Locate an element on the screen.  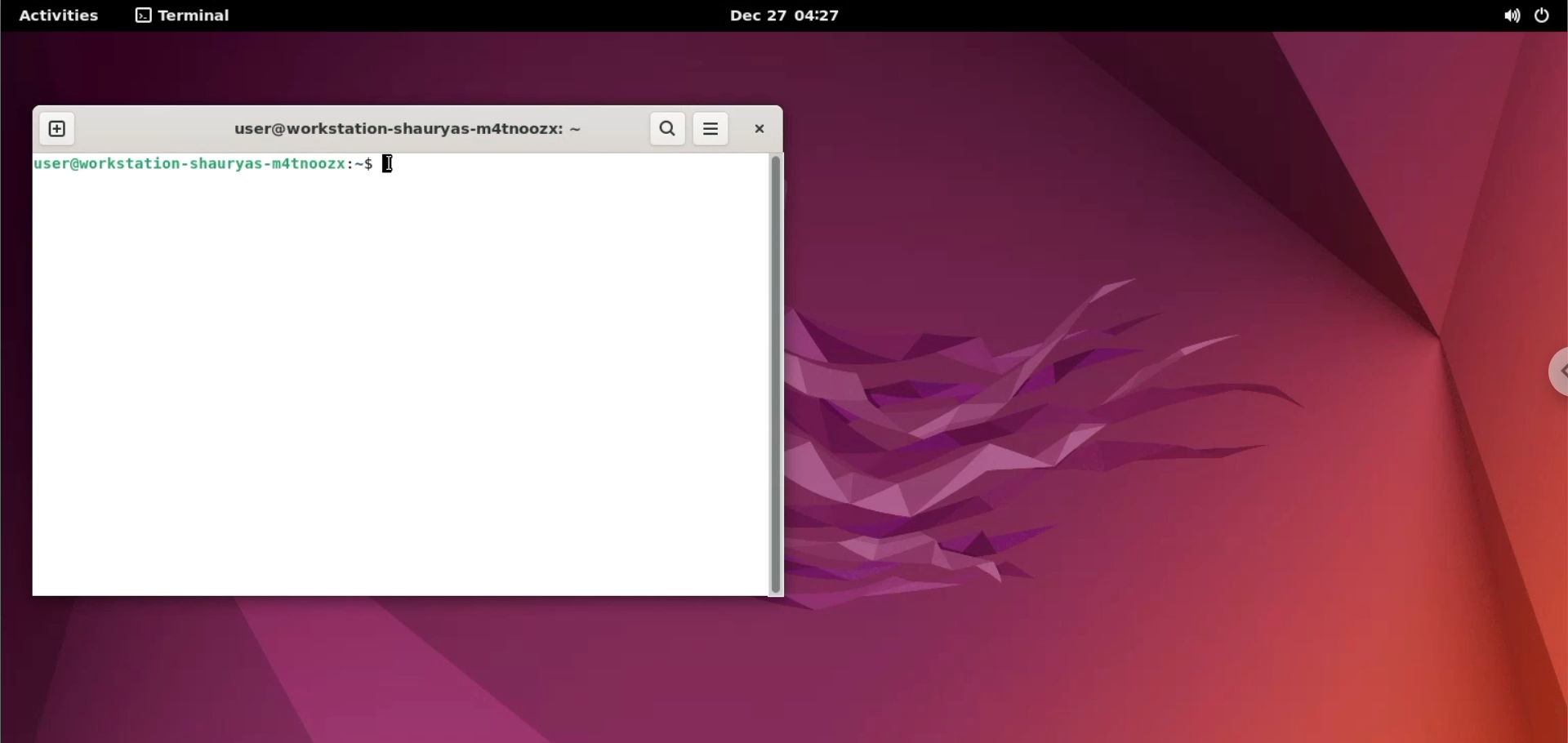
scrollbar is located at coordinates (776, 374).